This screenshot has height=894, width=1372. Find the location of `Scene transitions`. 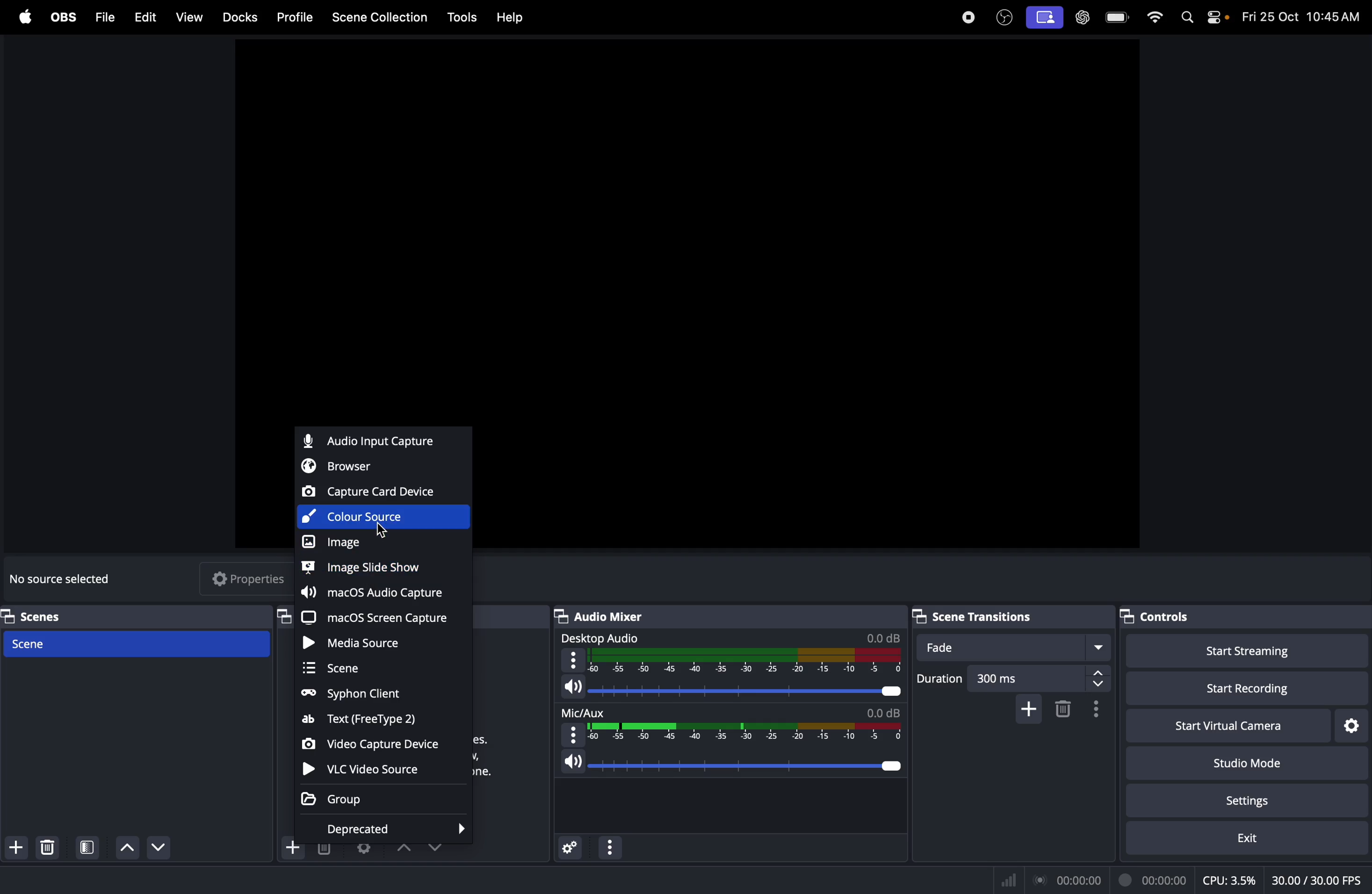

Scene transitions is located at coordinates (968, 617).